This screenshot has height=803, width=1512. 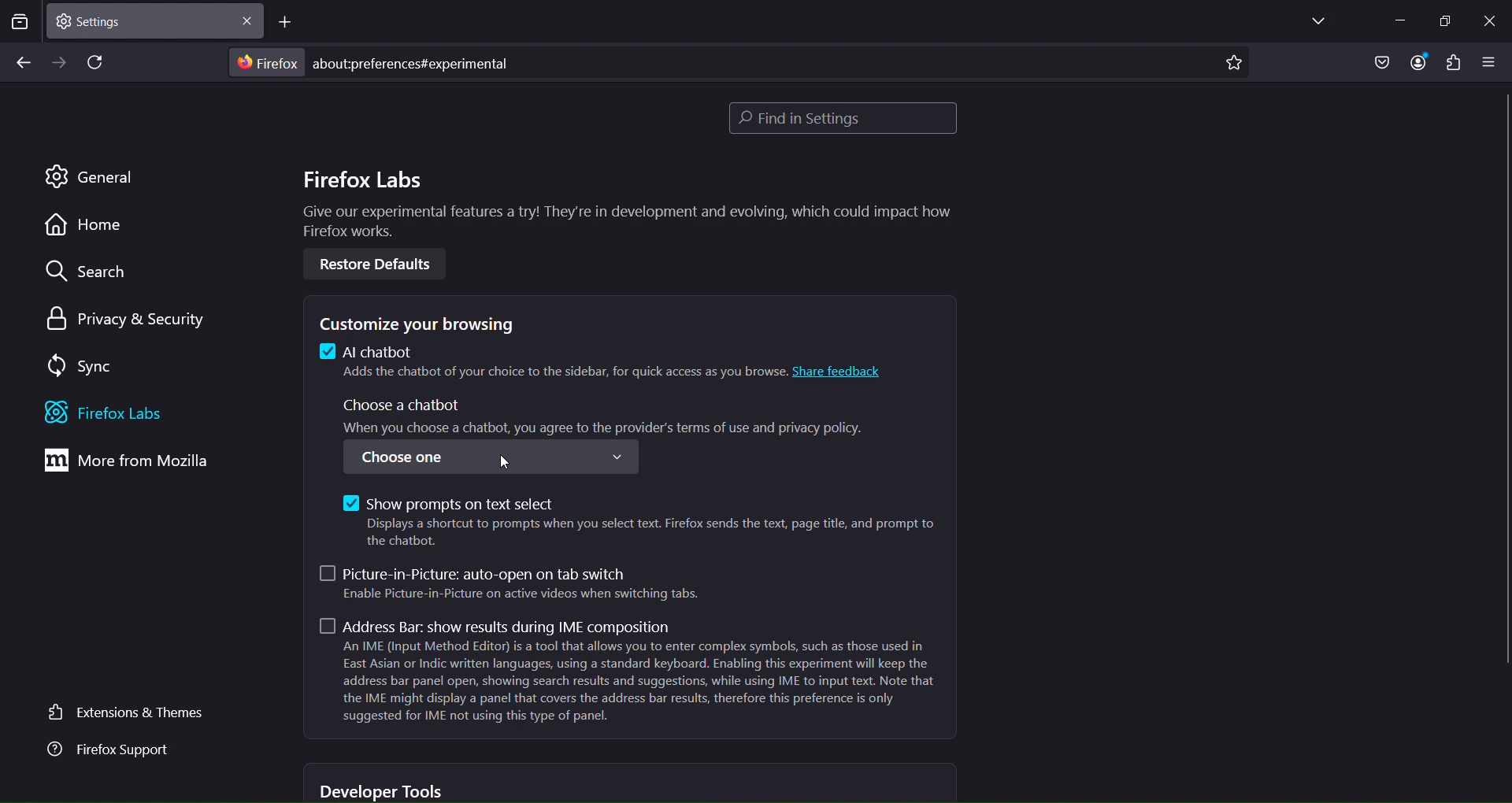 What do you see at coordinates (1232, 65) in the screenshot?
I see `bookmark page` at bounding box center [1232, 65].